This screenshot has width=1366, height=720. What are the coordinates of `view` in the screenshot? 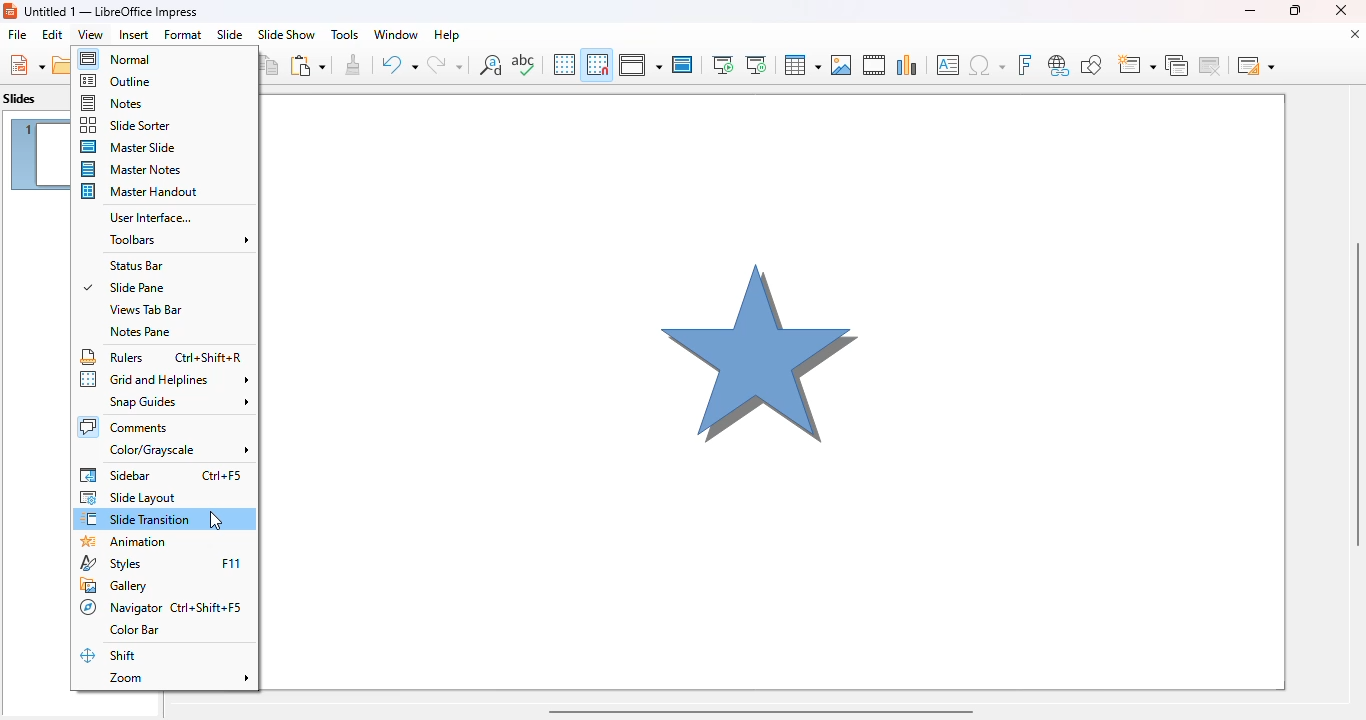 It's located at (91, 34).